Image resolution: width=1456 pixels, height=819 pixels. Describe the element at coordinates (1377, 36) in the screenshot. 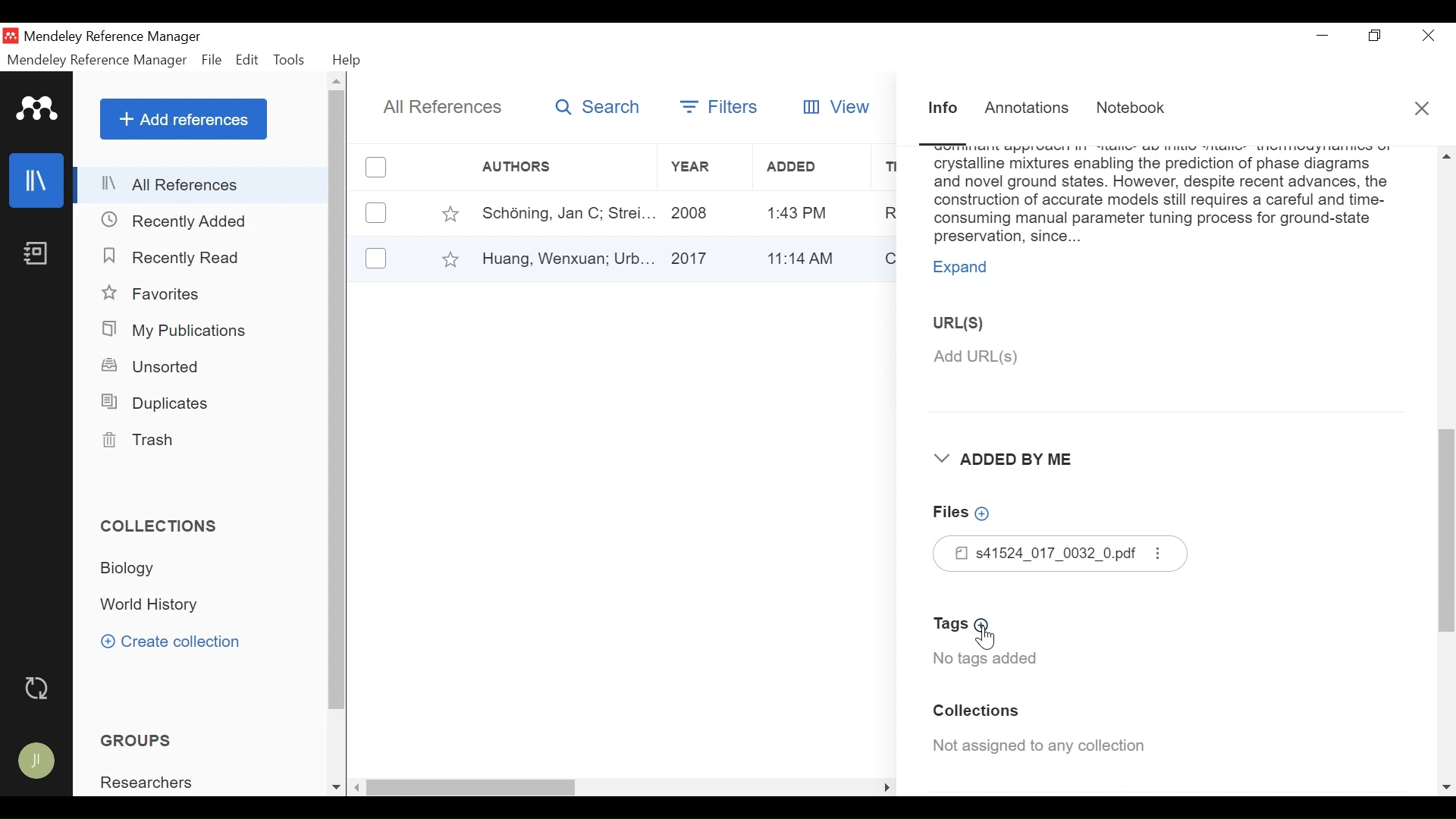

I see `Restore` at that location.